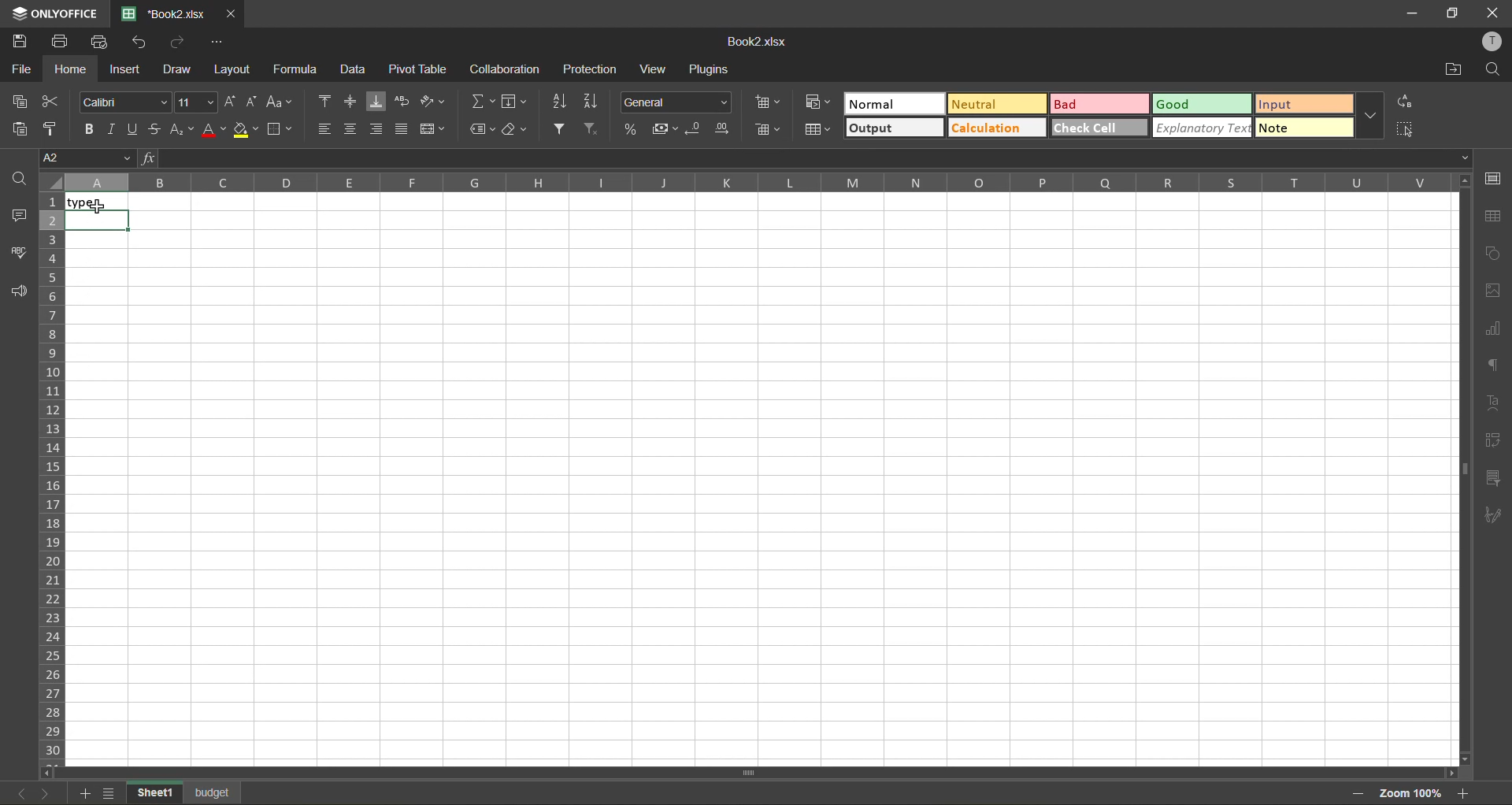  Describe the element at coordinates (405, 102) in the screenshot. I see `wrap text` at that location.